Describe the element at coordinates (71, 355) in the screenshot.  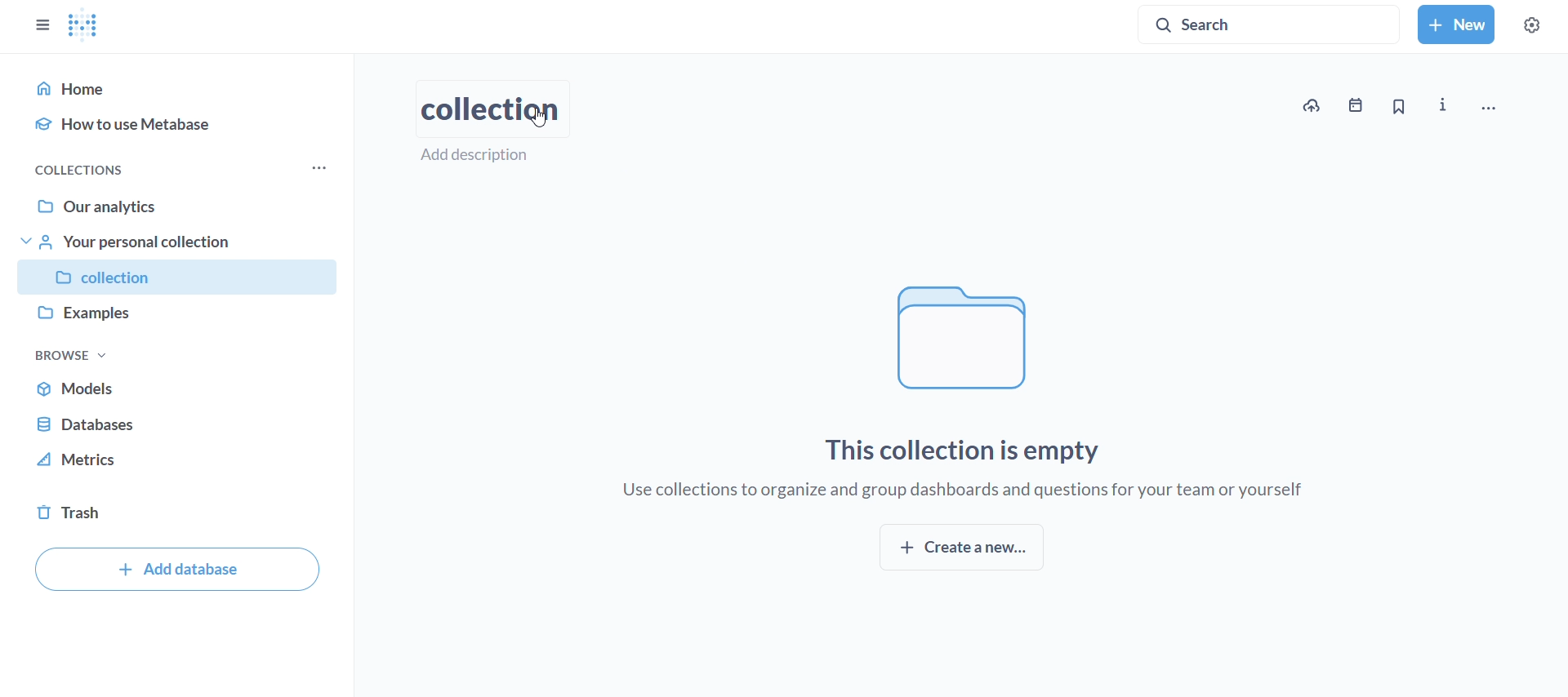
I see `browse` at that location.